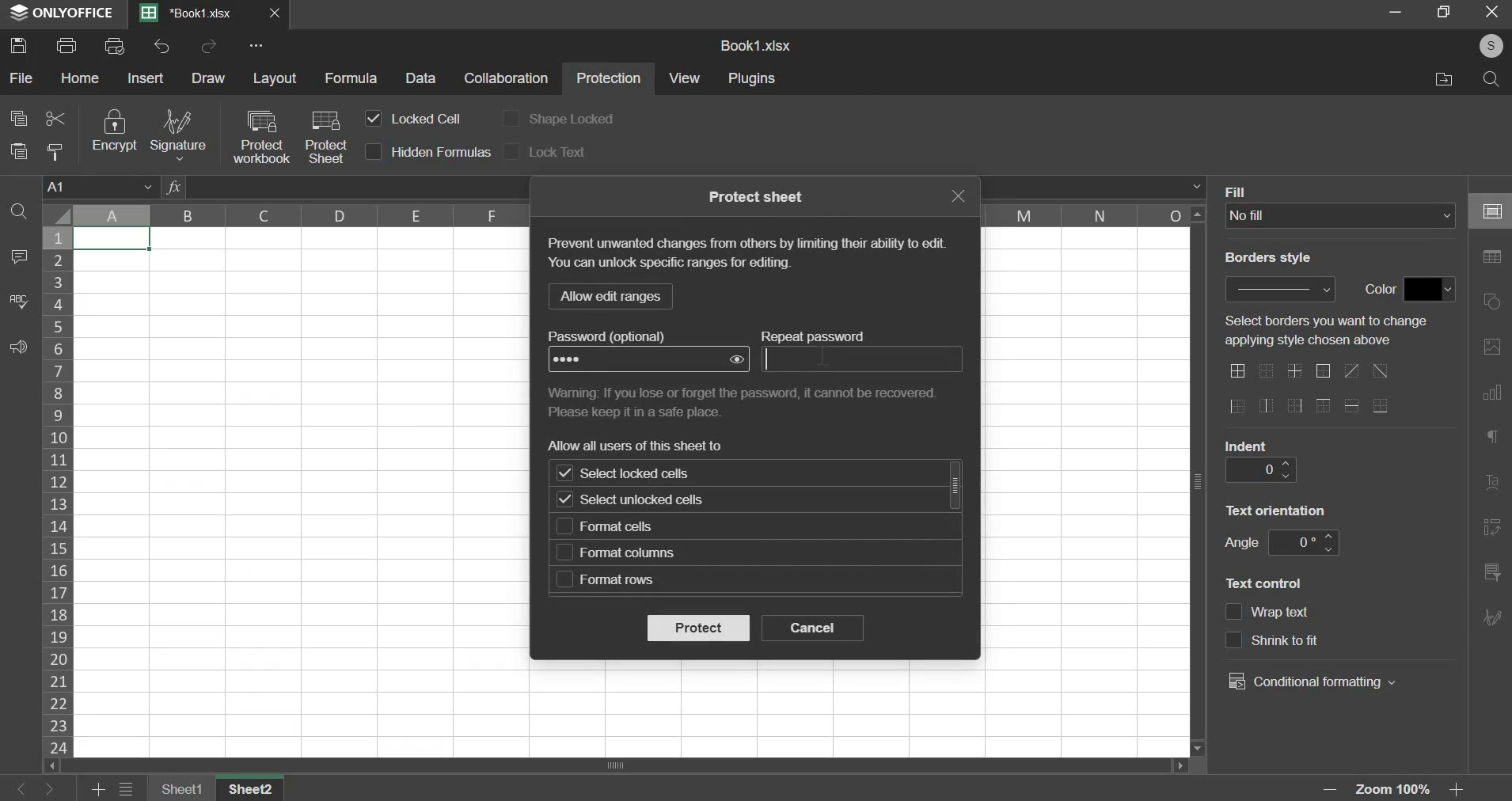  What do you see at coordinates (507, 79) in the screenshot?
I see `collaboration` at bounding box center [507, 79].